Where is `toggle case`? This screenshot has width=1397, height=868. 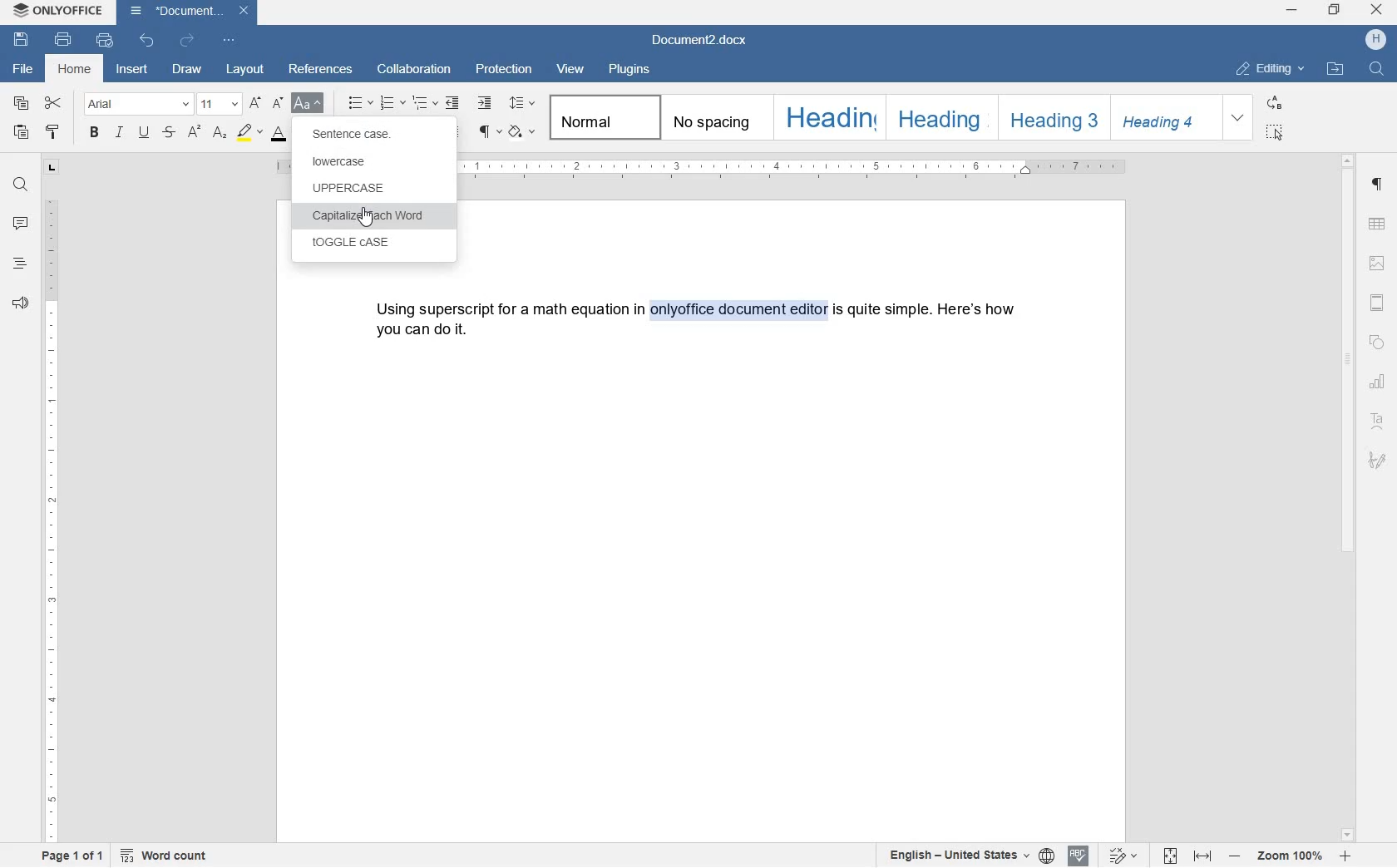 toggle case is located at coordinates (367, 244).